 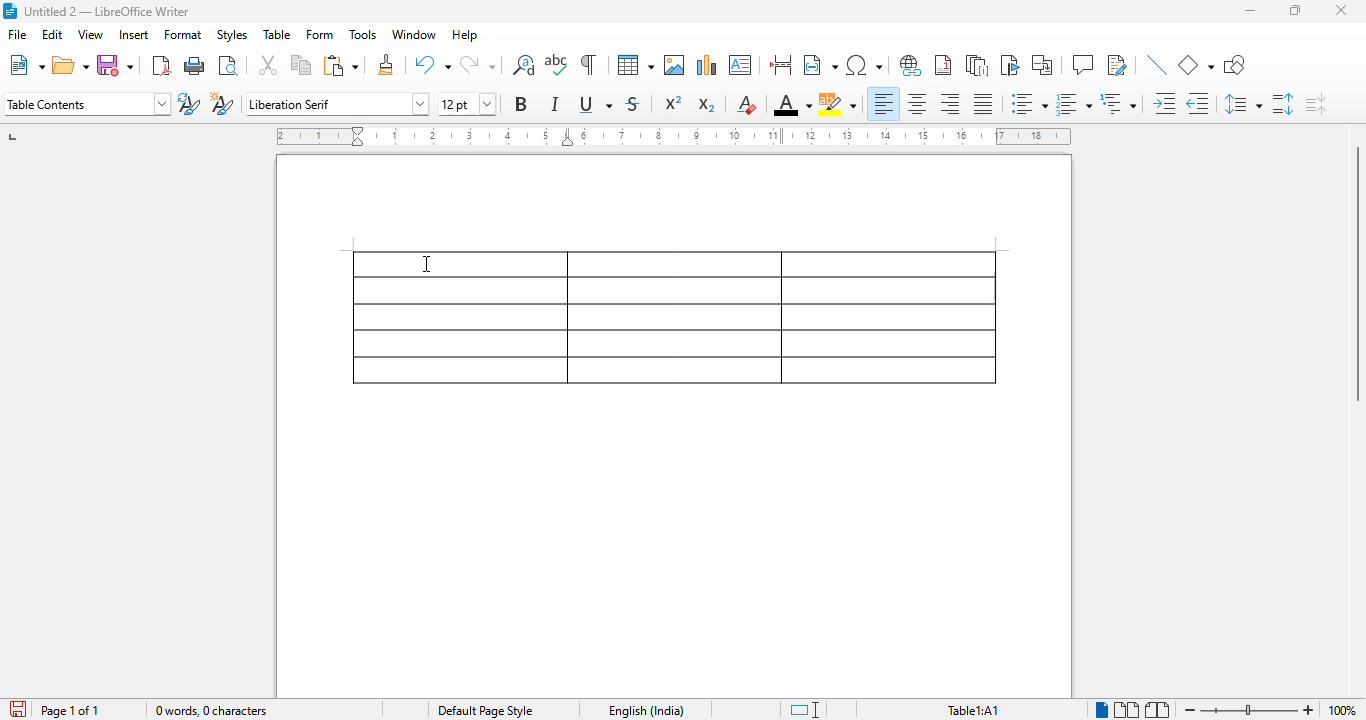 I want to click on new, so click(x=27, y=65).